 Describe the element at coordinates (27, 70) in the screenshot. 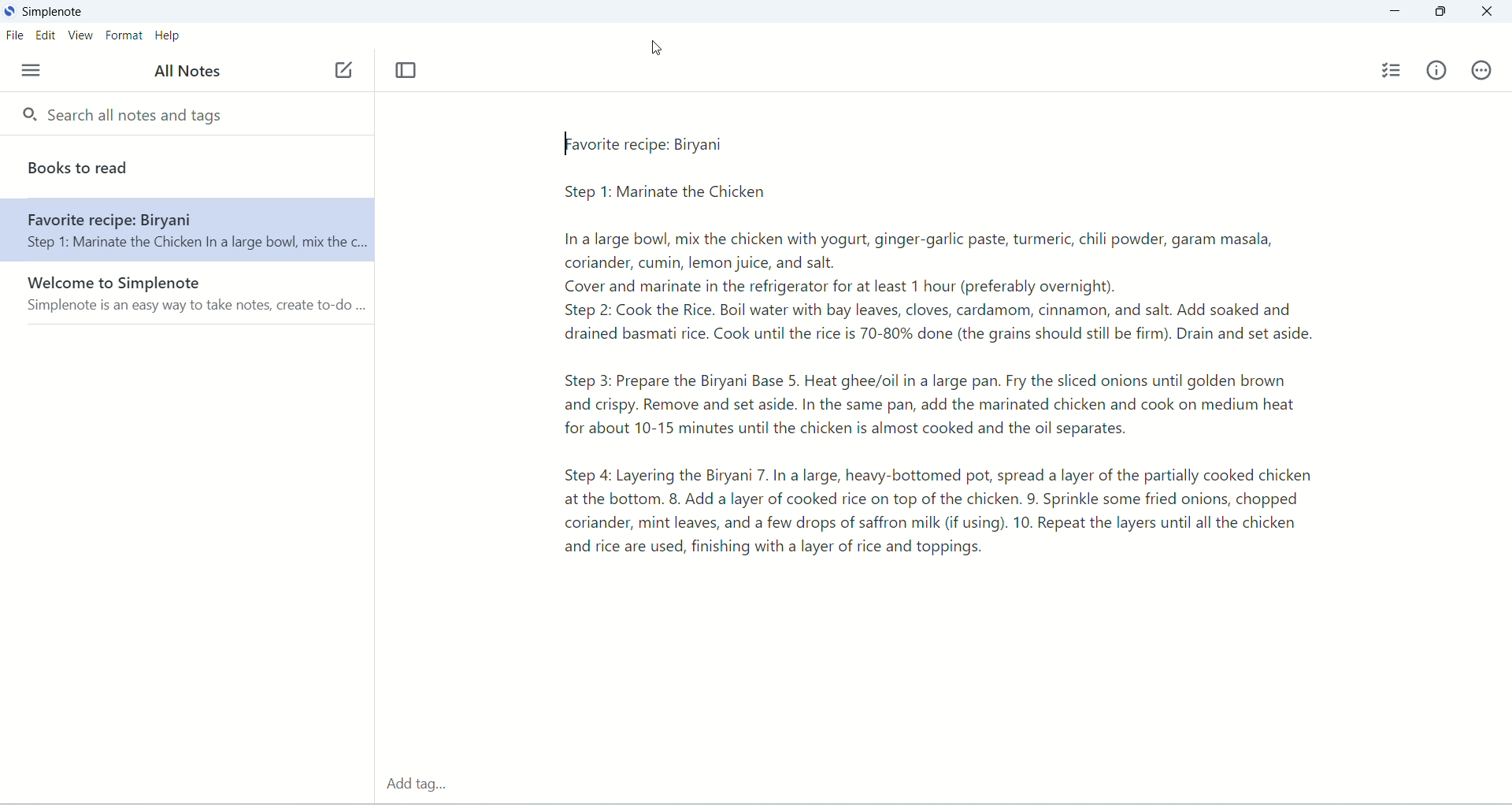

I see `menu` at that location.